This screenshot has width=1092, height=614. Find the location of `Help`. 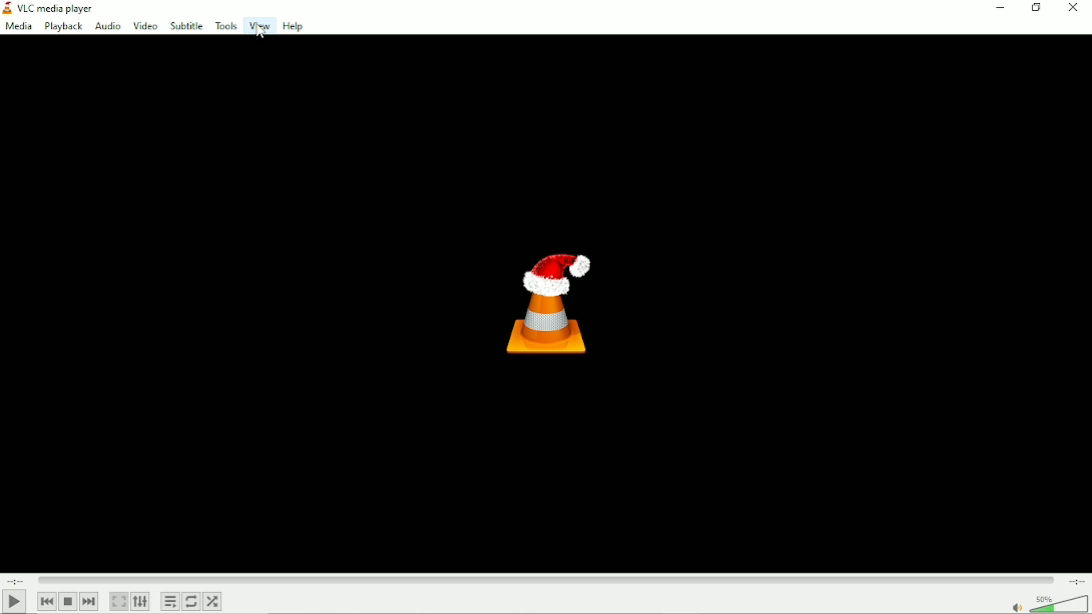

Help is located at coordinates (292, 26).